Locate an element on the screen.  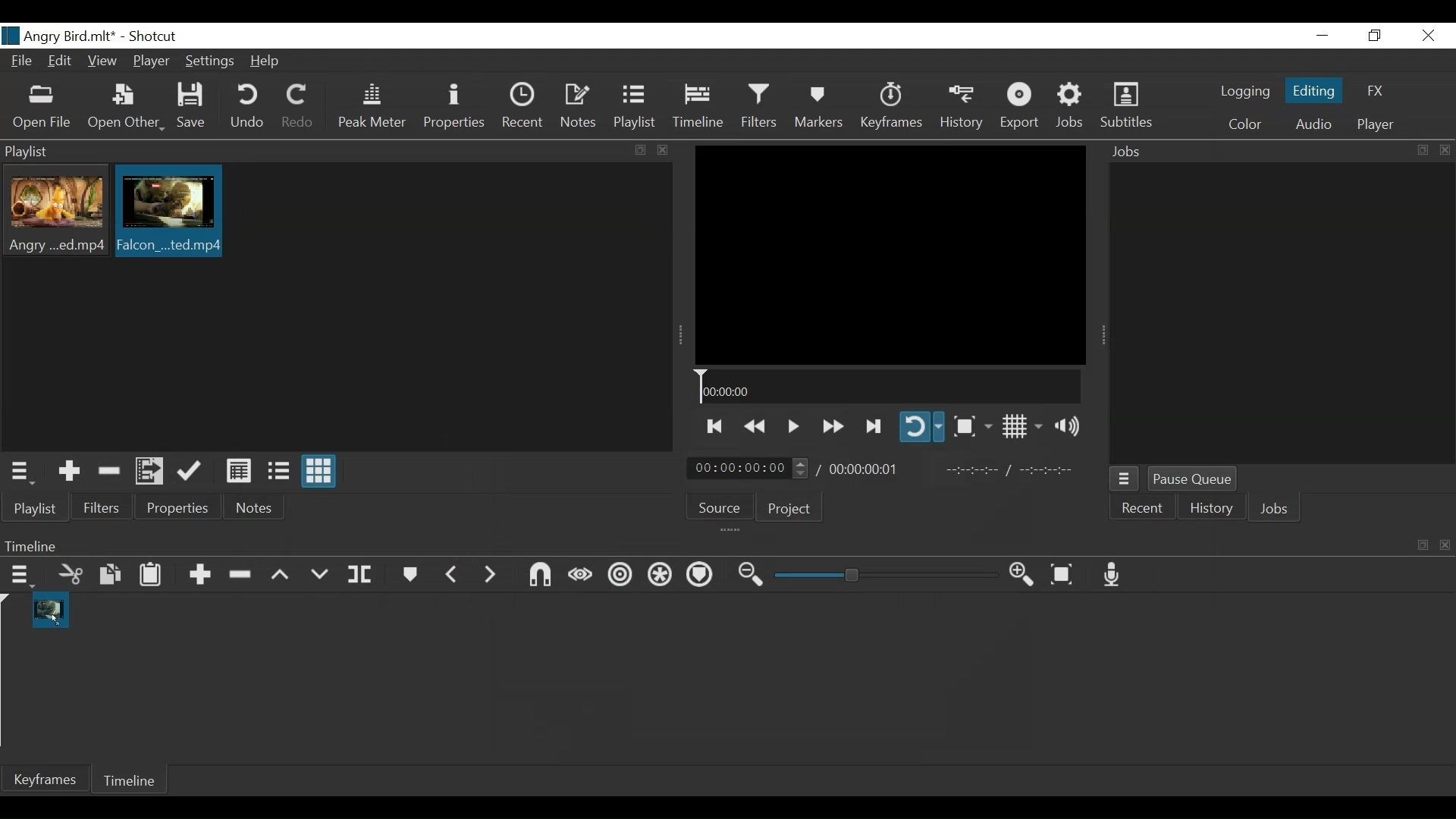
Zoom timeline in is located at coordinates (1026, 576).